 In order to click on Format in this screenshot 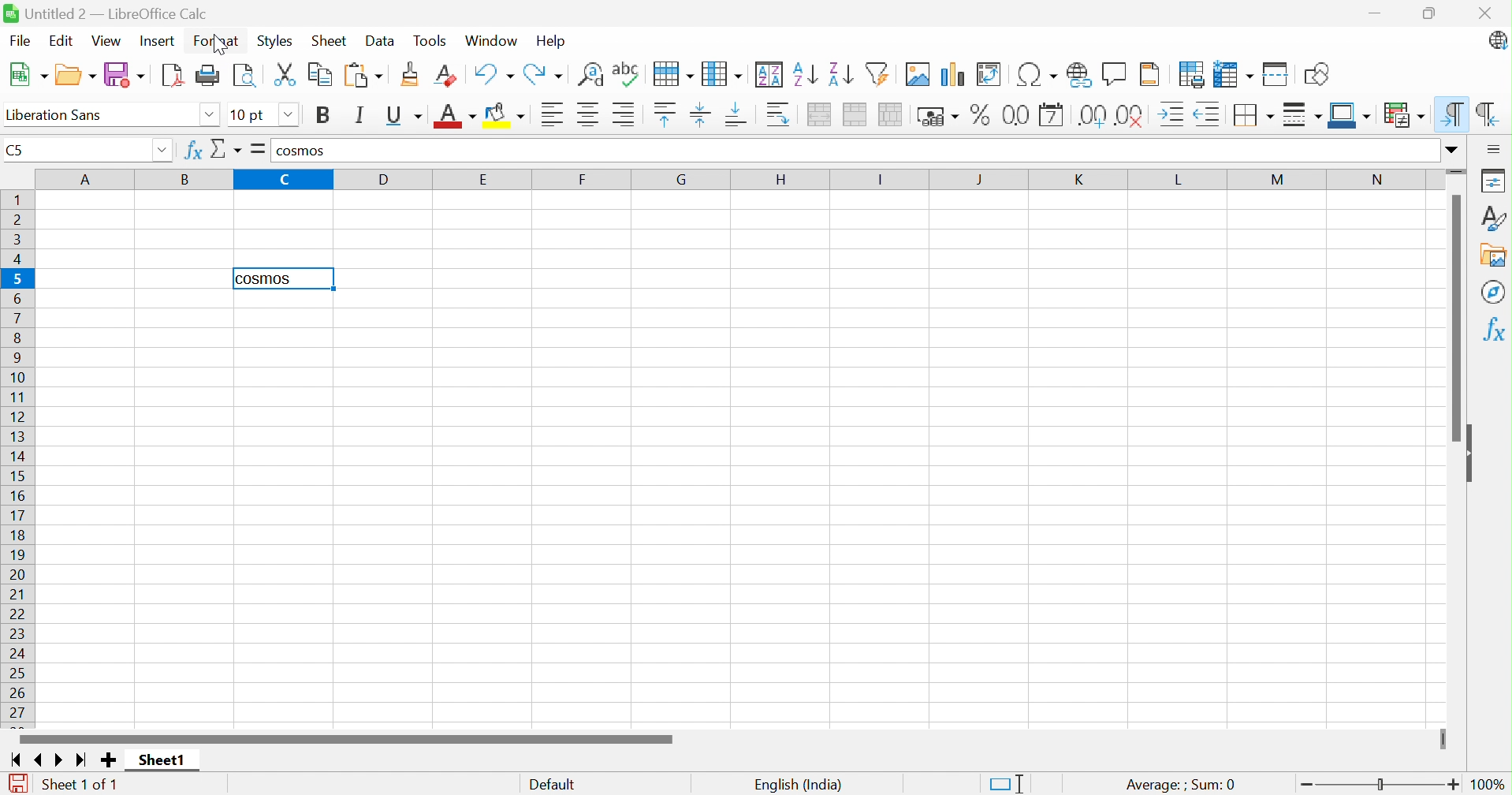, I will do `click(214, 41)`.